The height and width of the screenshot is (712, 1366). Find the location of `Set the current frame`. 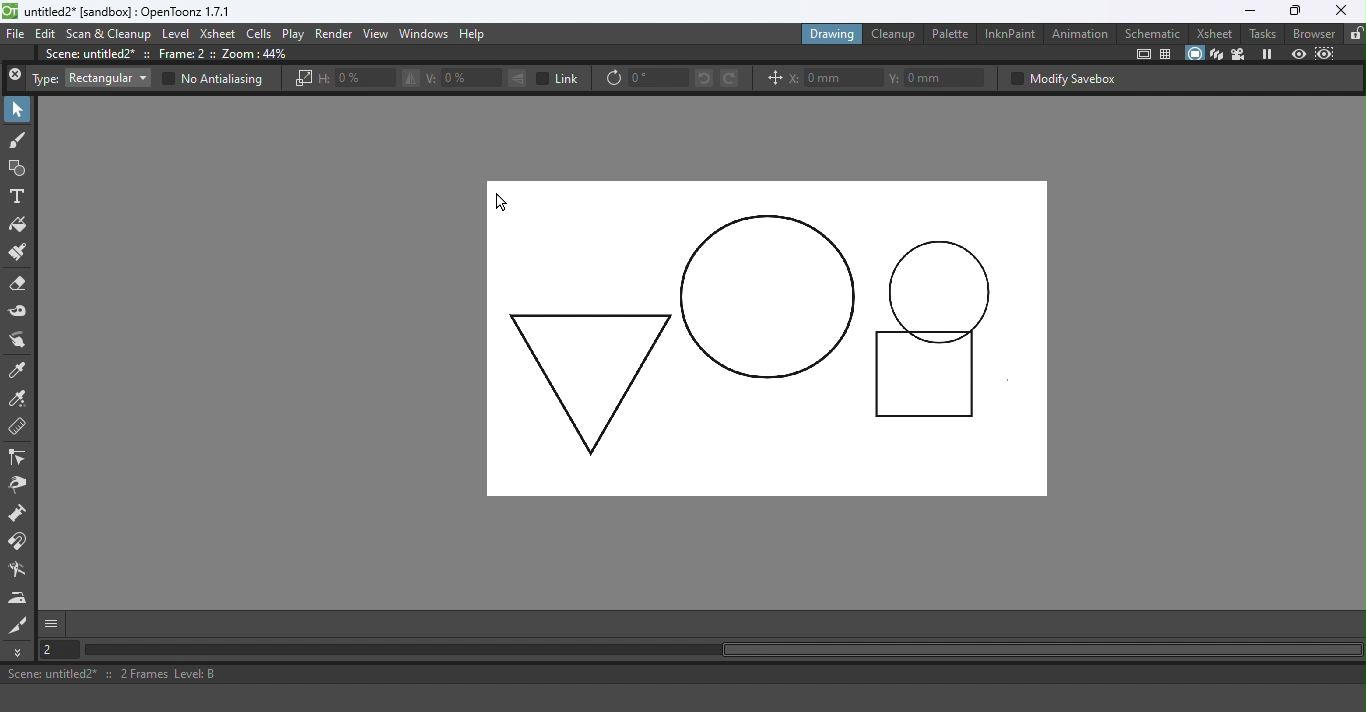

Set the current frame is located at coordinates (62, 651).